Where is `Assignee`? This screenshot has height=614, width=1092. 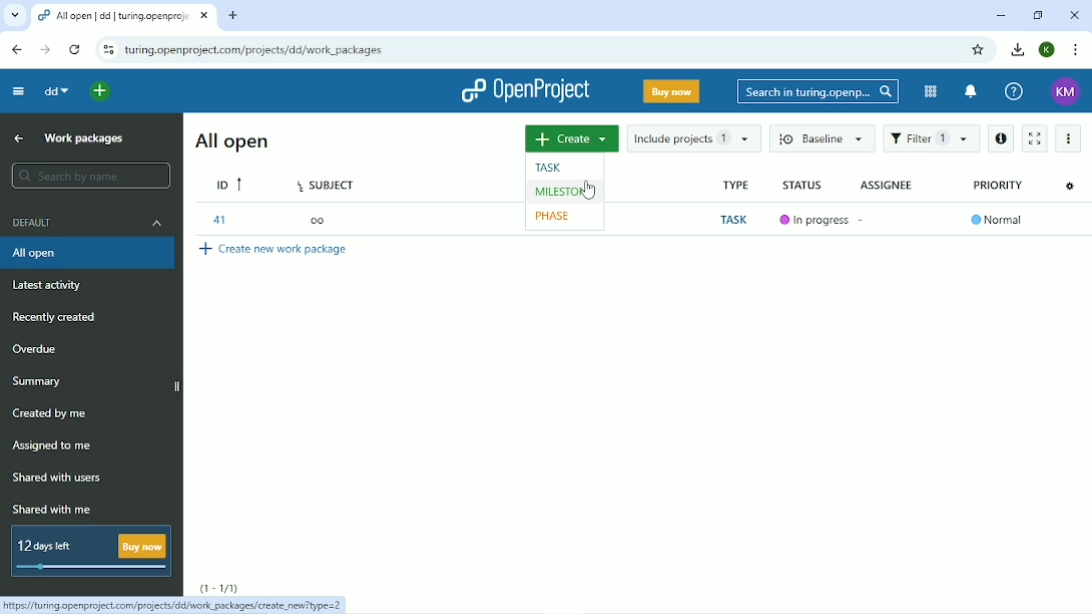
Assignee is located at coordinates (887, 185).